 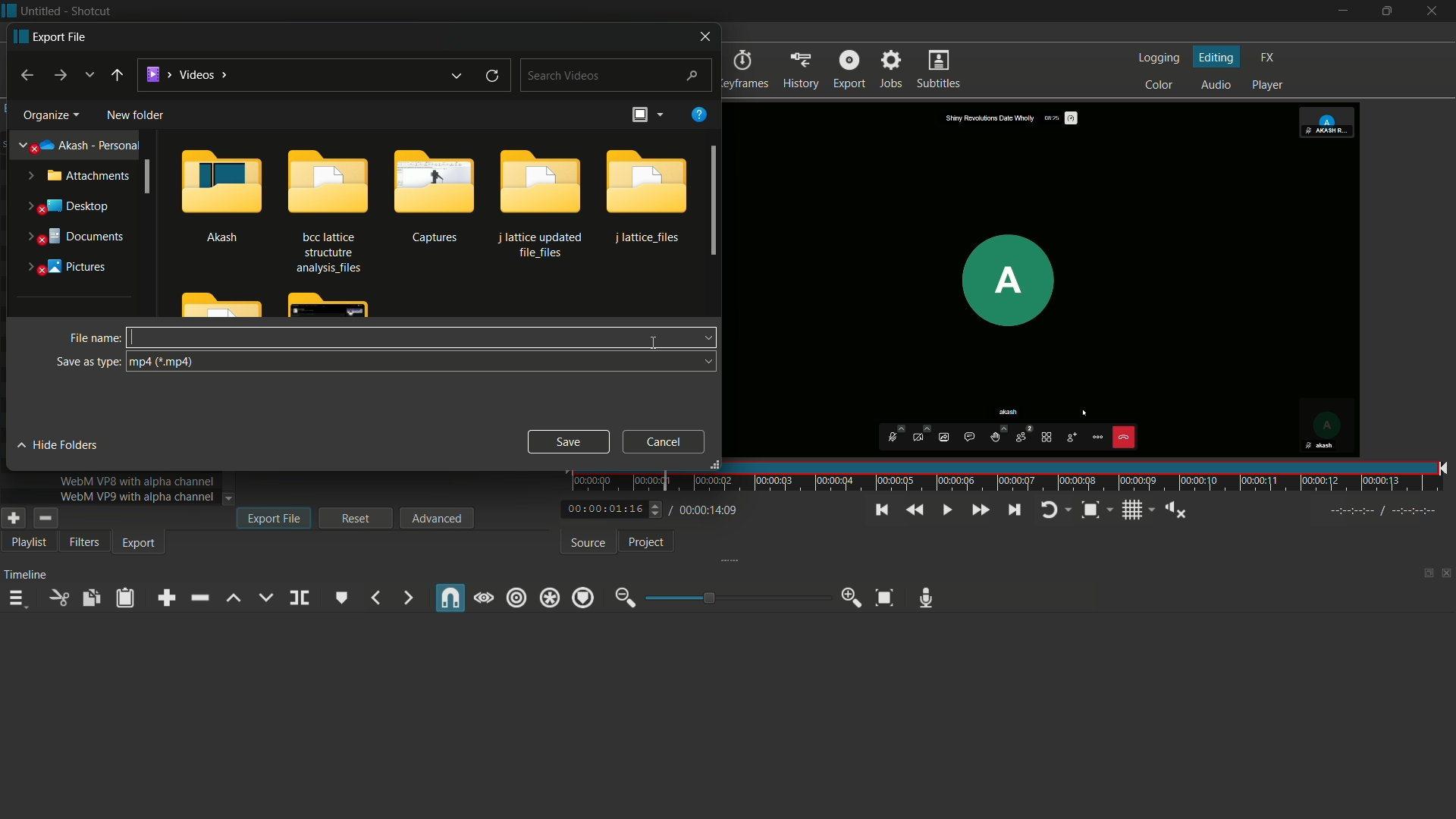 What do you see at coordinates (1012, 477) in the screenshot?
I see `time` at bounding box center [1012, 477].